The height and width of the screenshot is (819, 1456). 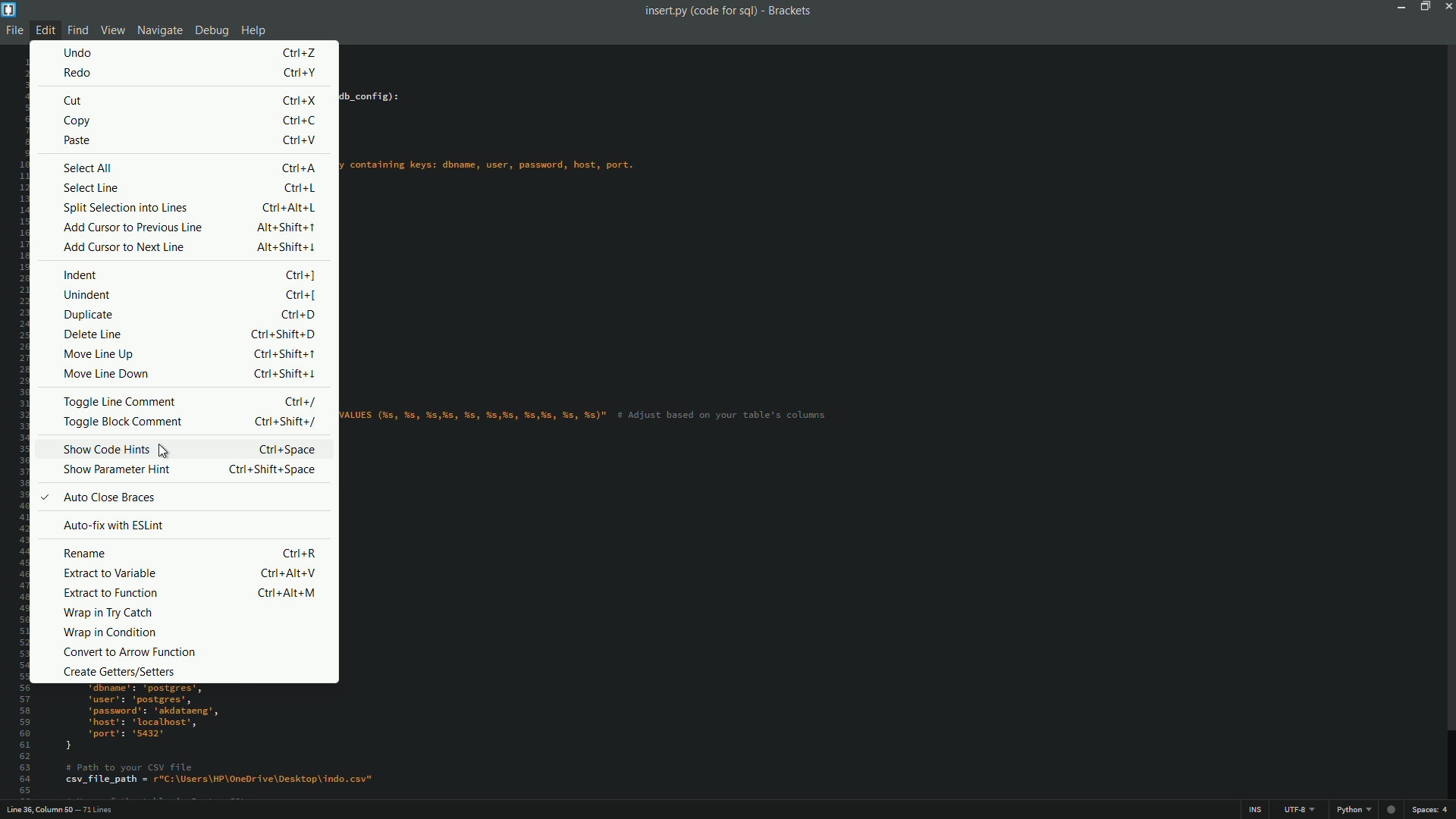 I want to click on create getter/setter, so click(x=116, y=672).